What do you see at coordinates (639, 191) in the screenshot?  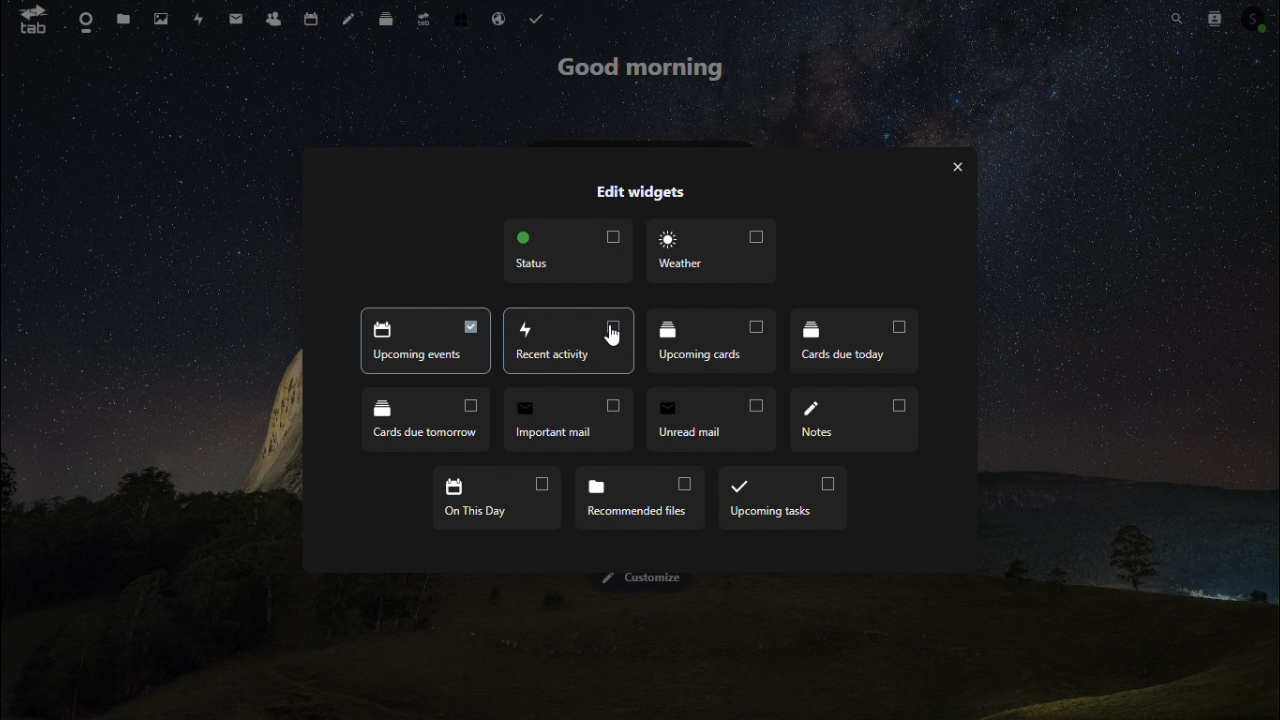 I see `Edit widgets` at bounding box center [639, 191].